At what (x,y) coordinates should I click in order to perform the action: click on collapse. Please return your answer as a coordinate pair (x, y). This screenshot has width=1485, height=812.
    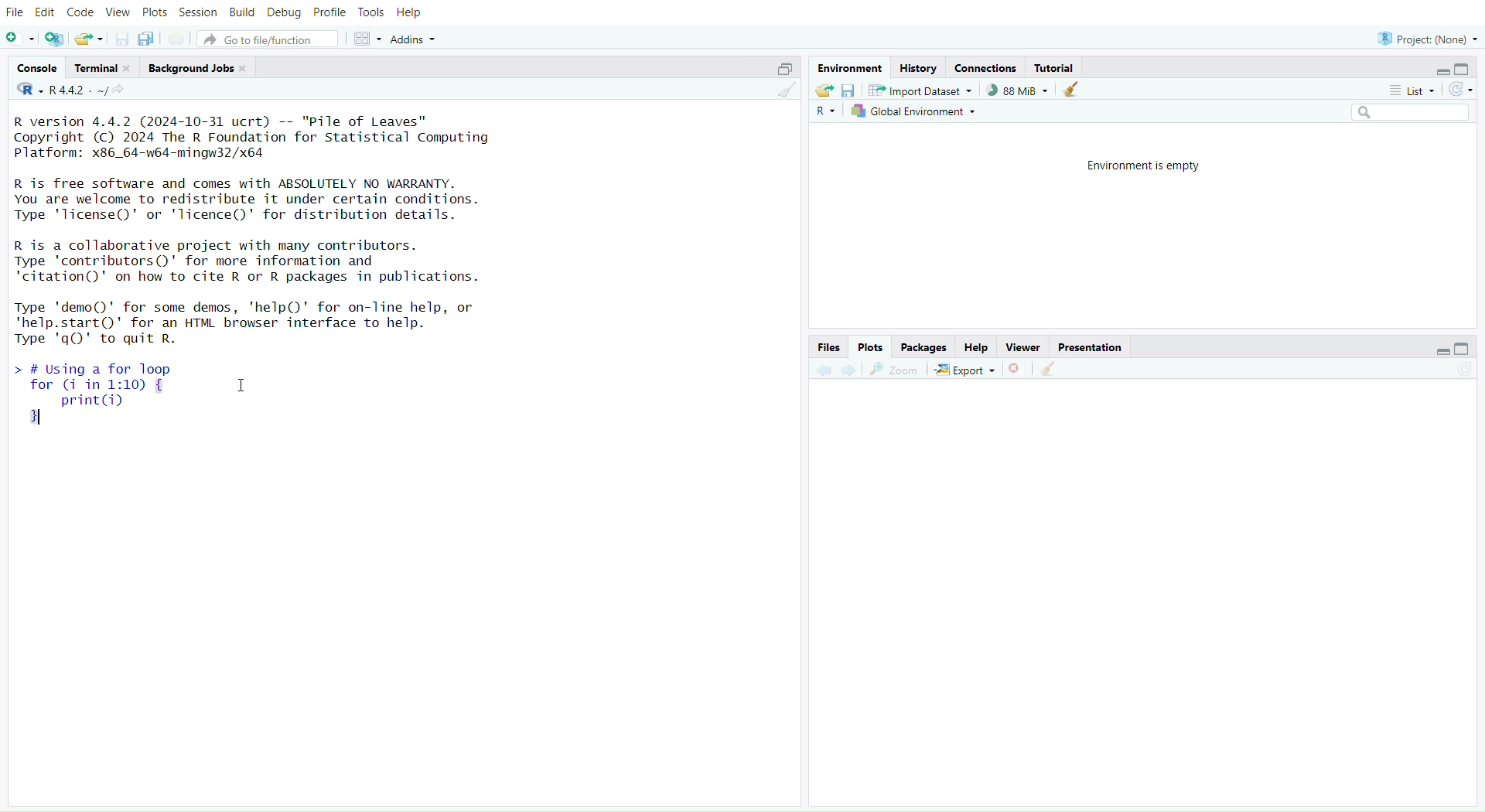
    Looking at the image, I should click on (1461, 350).